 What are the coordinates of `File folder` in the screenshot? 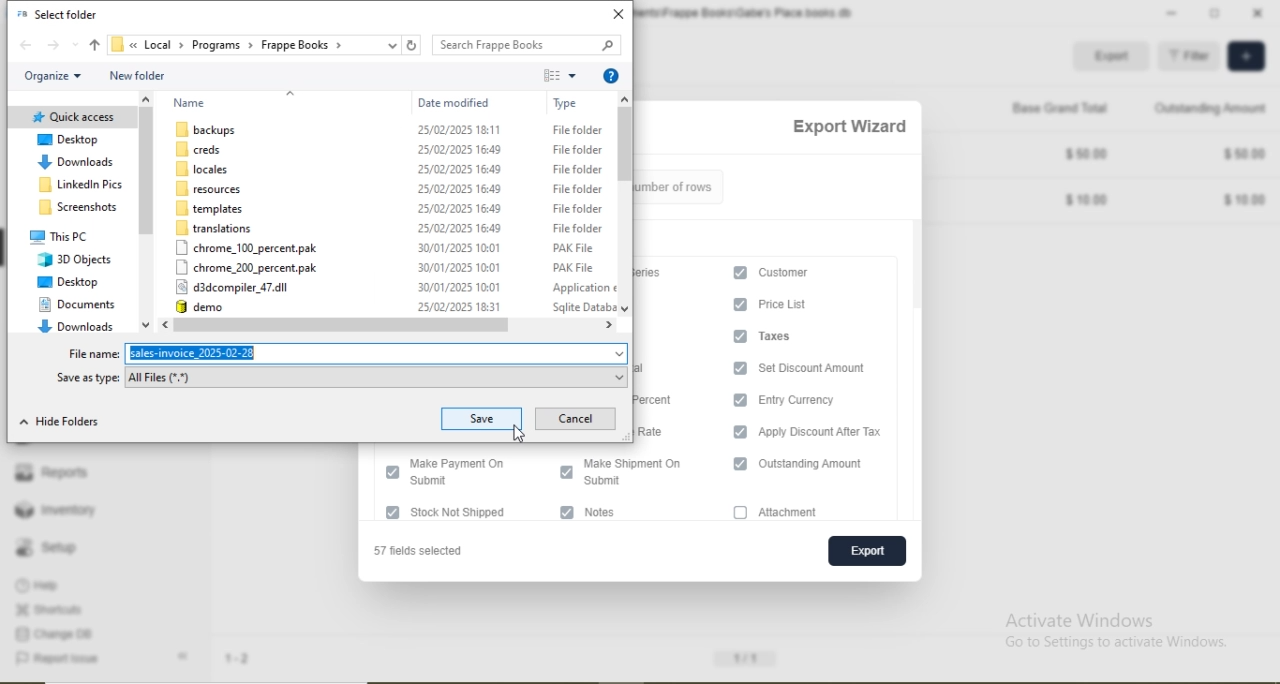 It's located at (579, 209).